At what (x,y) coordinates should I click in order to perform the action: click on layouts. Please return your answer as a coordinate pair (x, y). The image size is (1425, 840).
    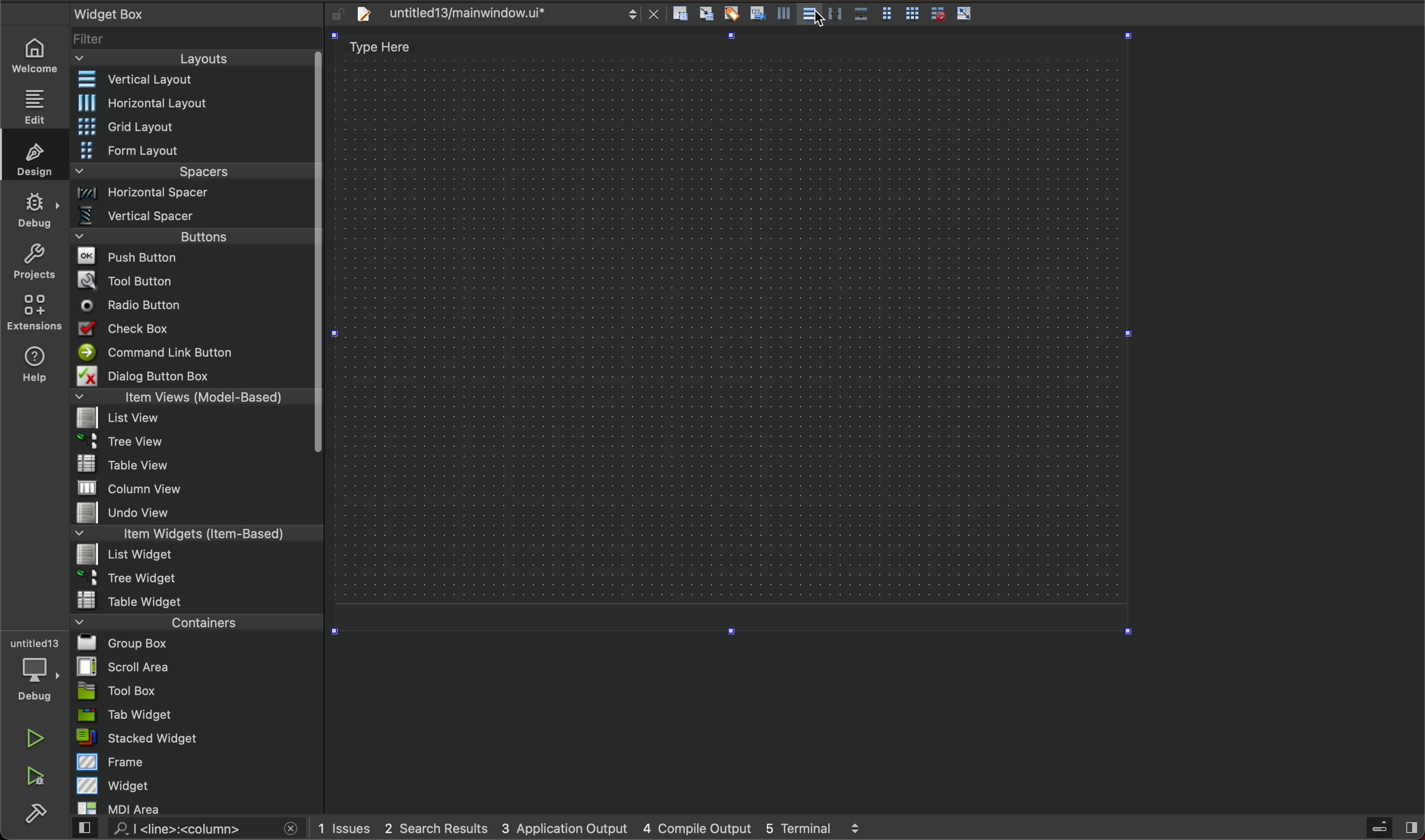
    Looking at the image, I should click on (197, 58).